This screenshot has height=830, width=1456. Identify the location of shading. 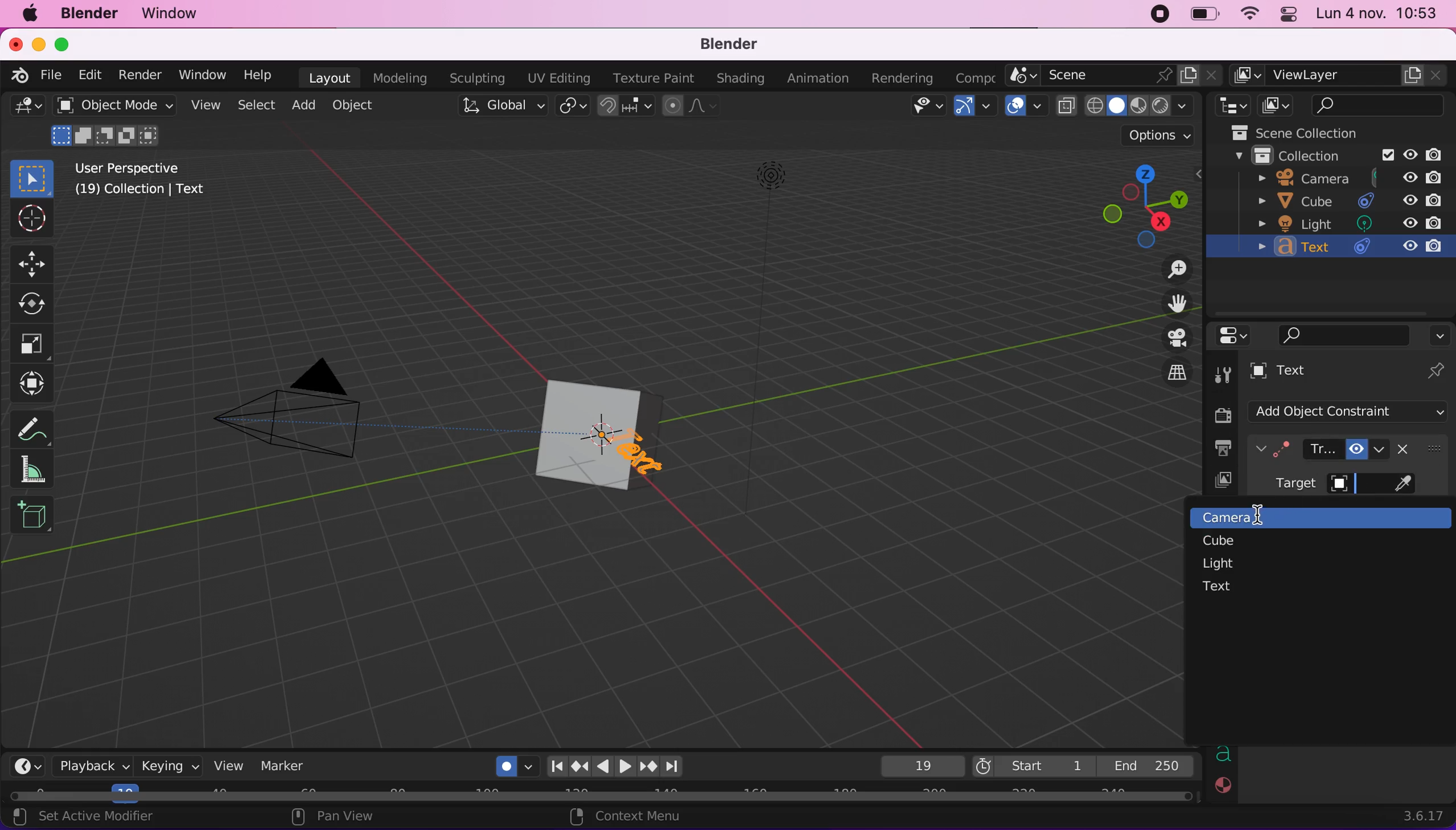
(1136, 107).